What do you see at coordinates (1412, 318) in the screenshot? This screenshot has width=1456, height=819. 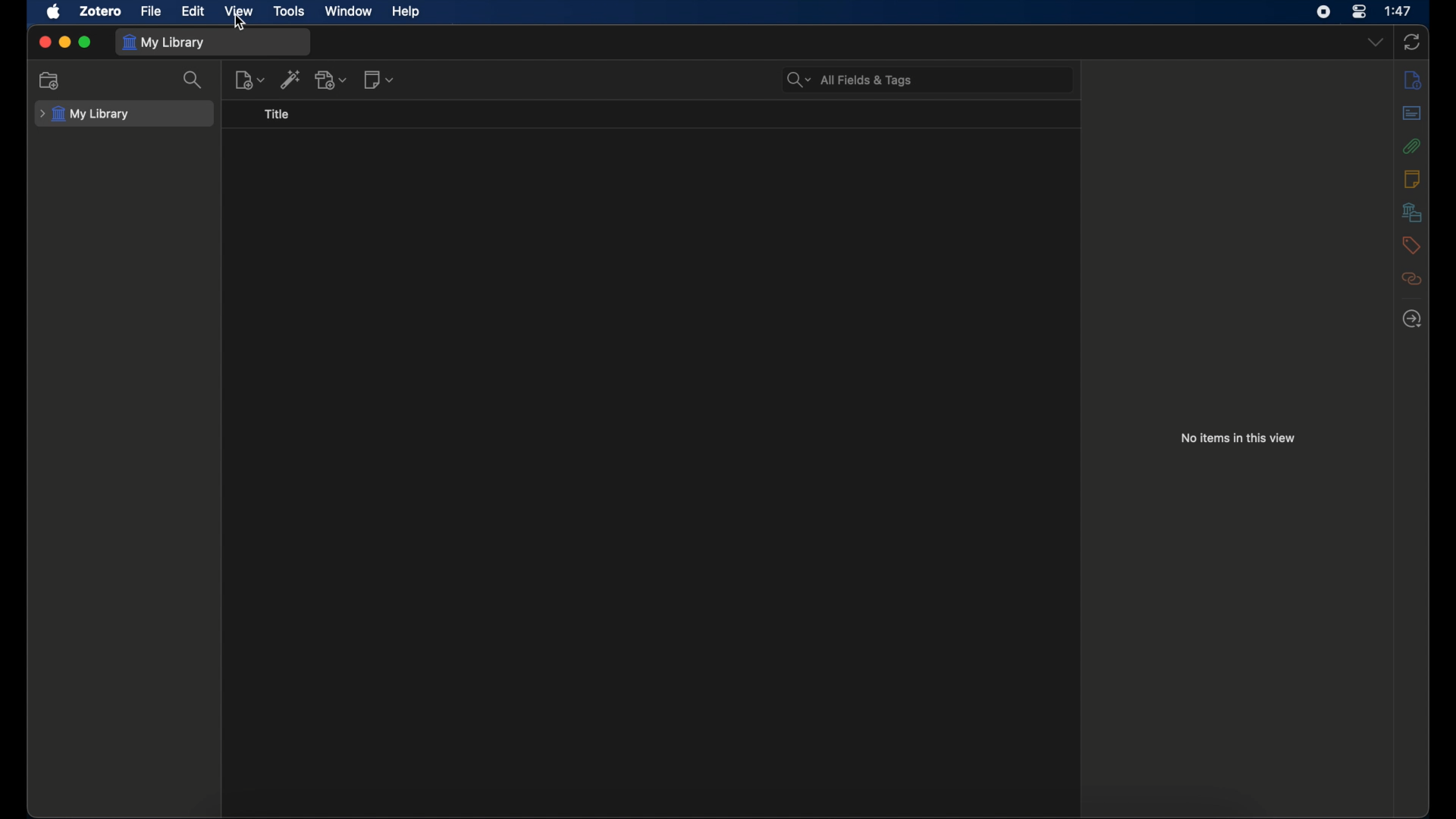 I see `locate` at bounding box center [1412, 318].